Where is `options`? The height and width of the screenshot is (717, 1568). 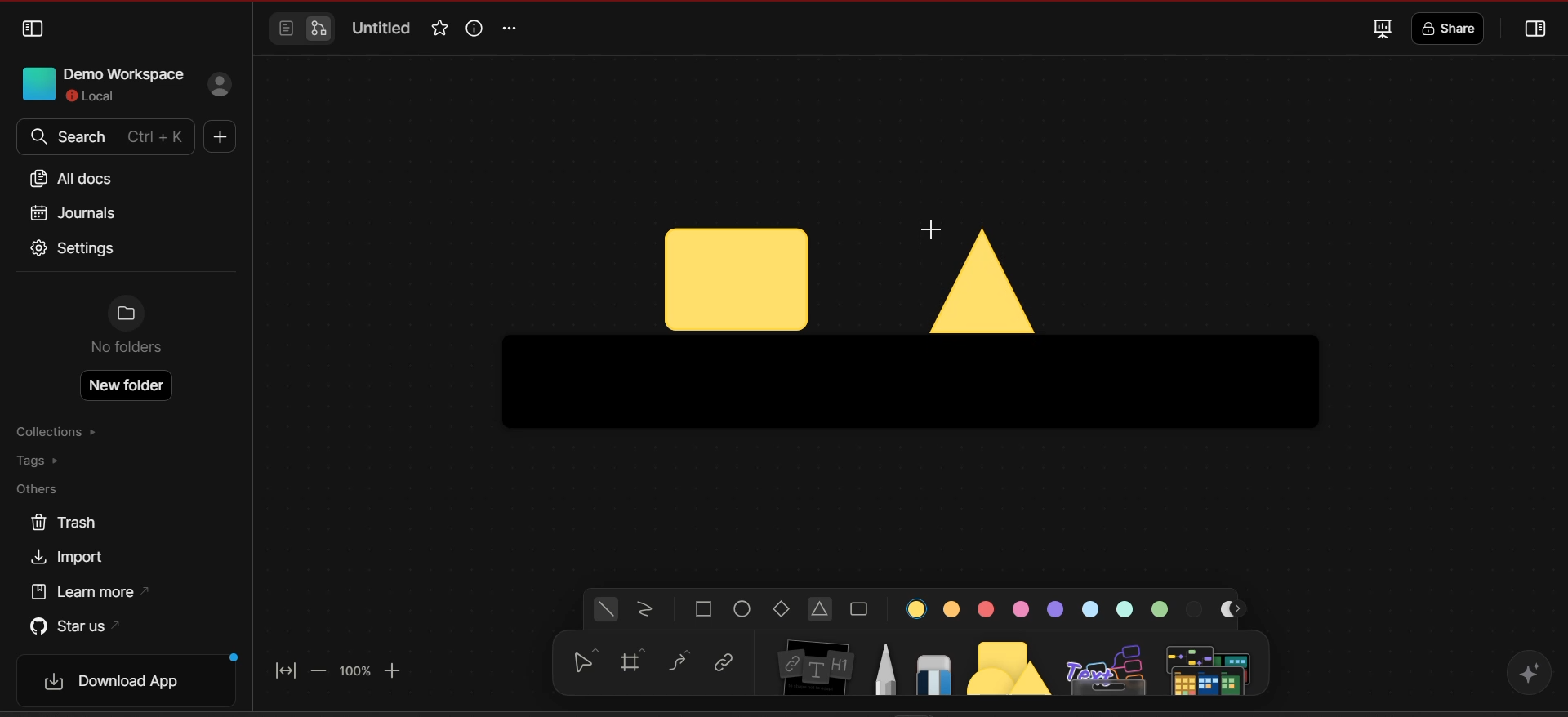
options is located at coordinates (514, 29).